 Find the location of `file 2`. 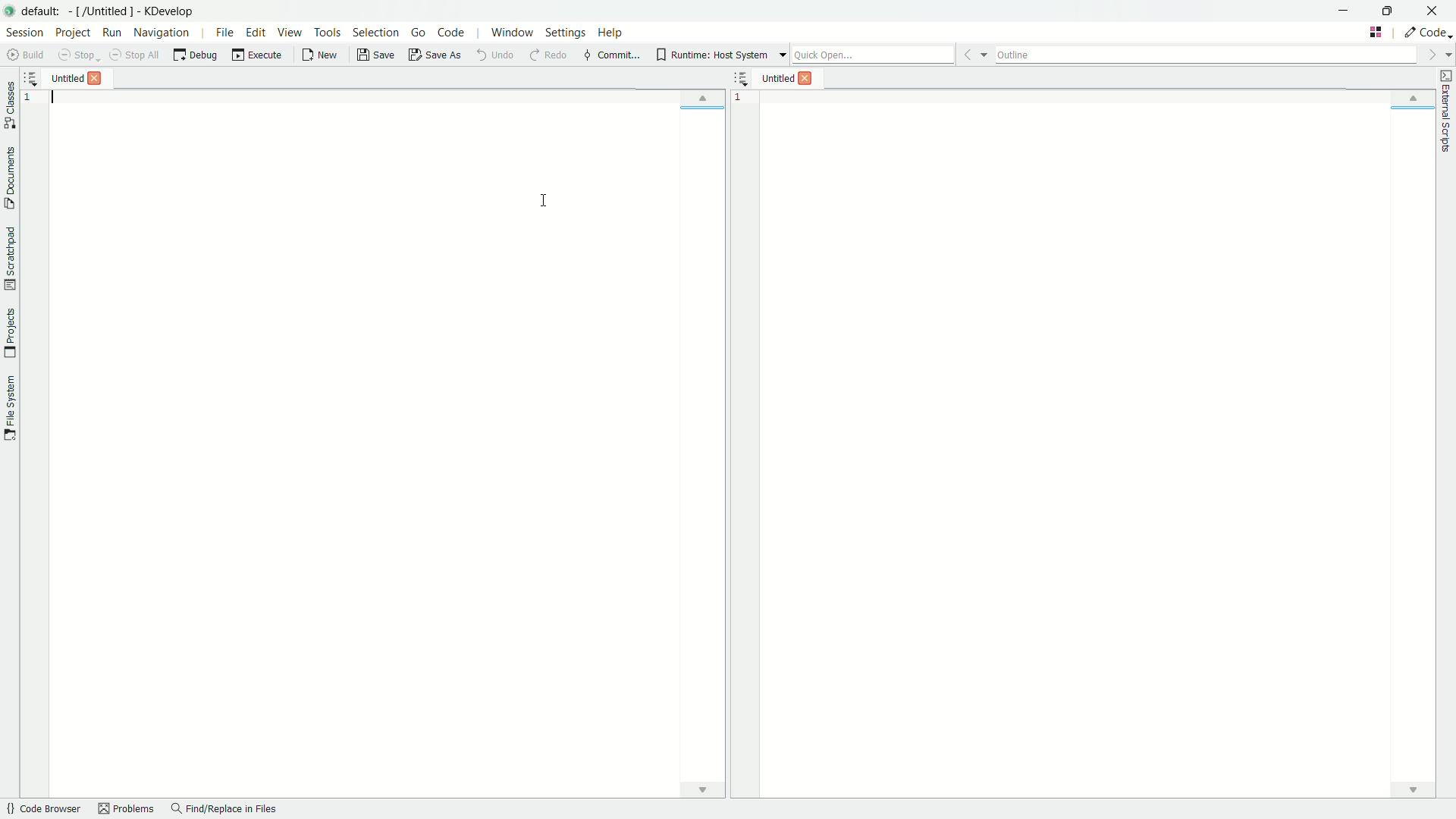

file 2 is located at coordinates (774, 79).